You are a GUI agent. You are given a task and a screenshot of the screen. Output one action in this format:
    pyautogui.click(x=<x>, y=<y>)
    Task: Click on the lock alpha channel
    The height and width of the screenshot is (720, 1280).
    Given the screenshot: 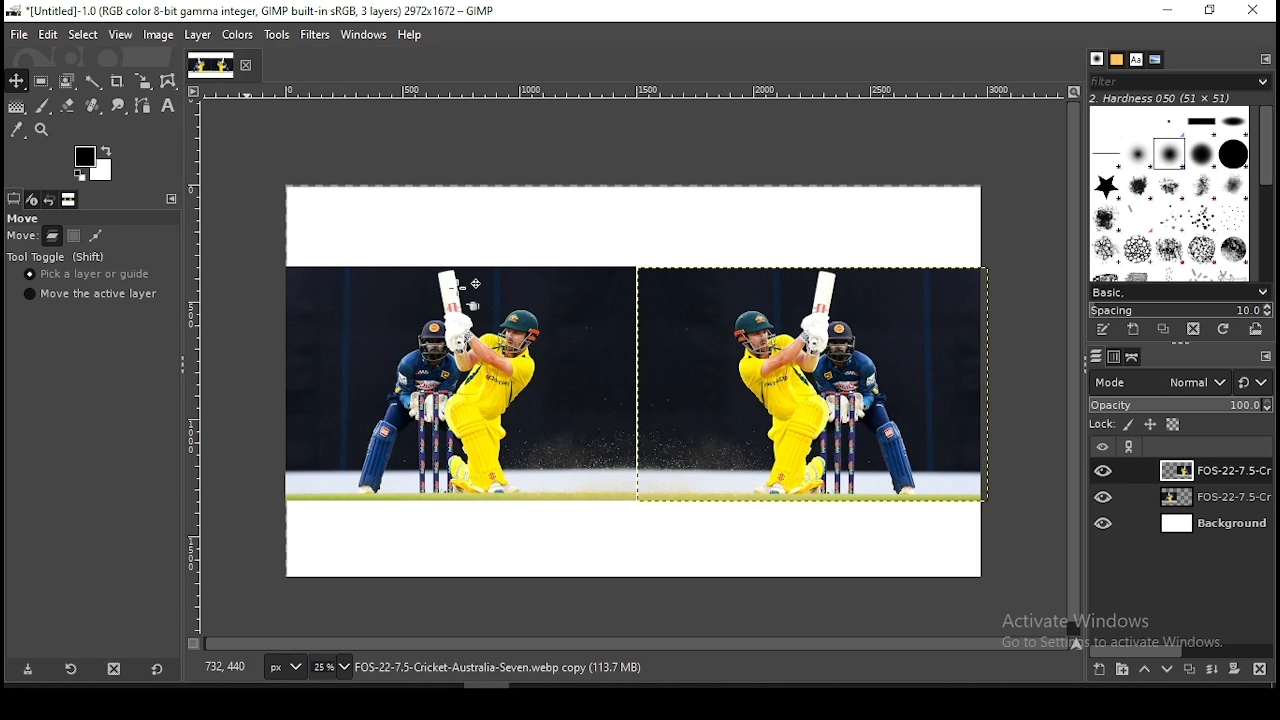 What is the action you would take?
    pyautogui.click(x=1172, y=425)
    